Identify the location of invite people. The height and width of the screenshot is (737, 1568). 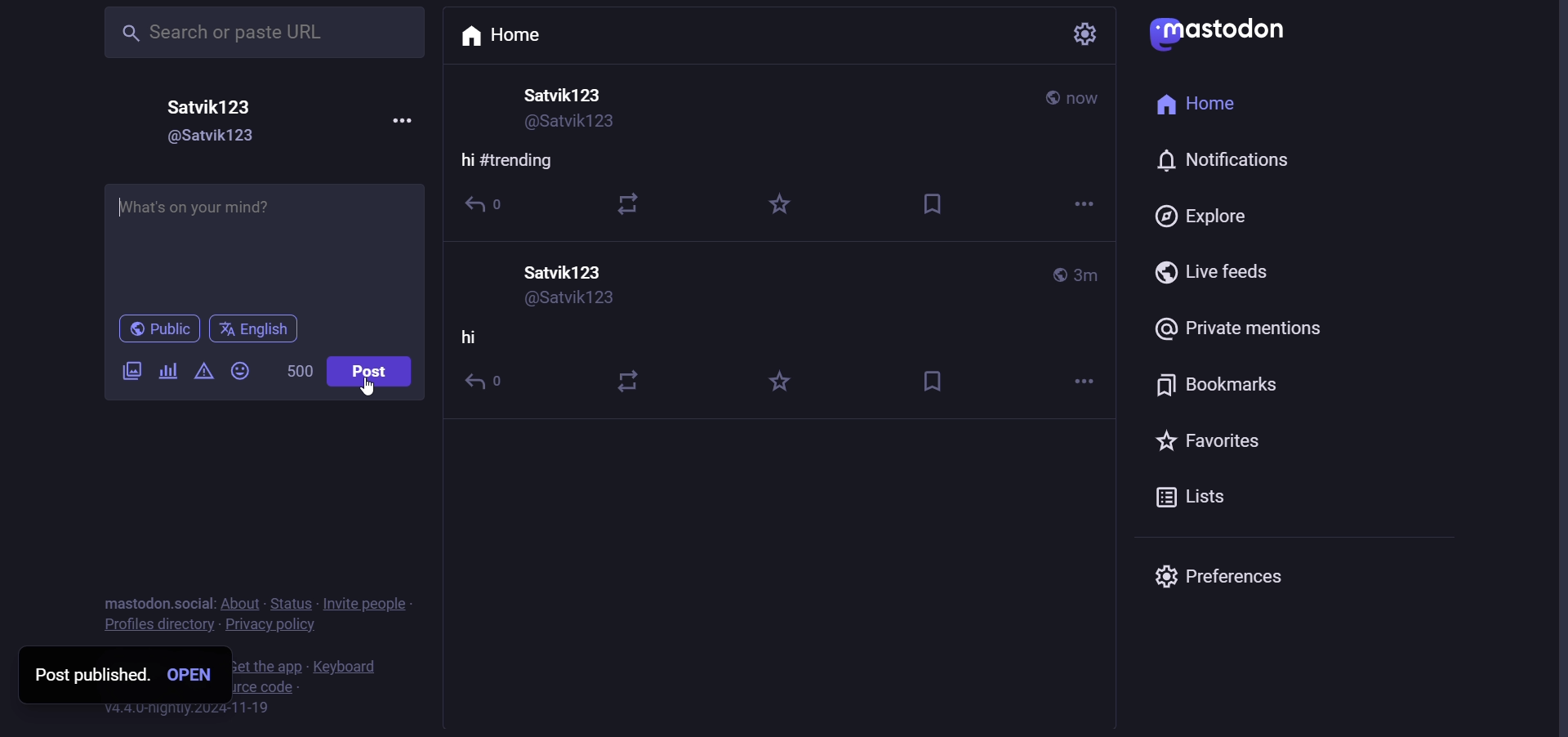
(371, 603).